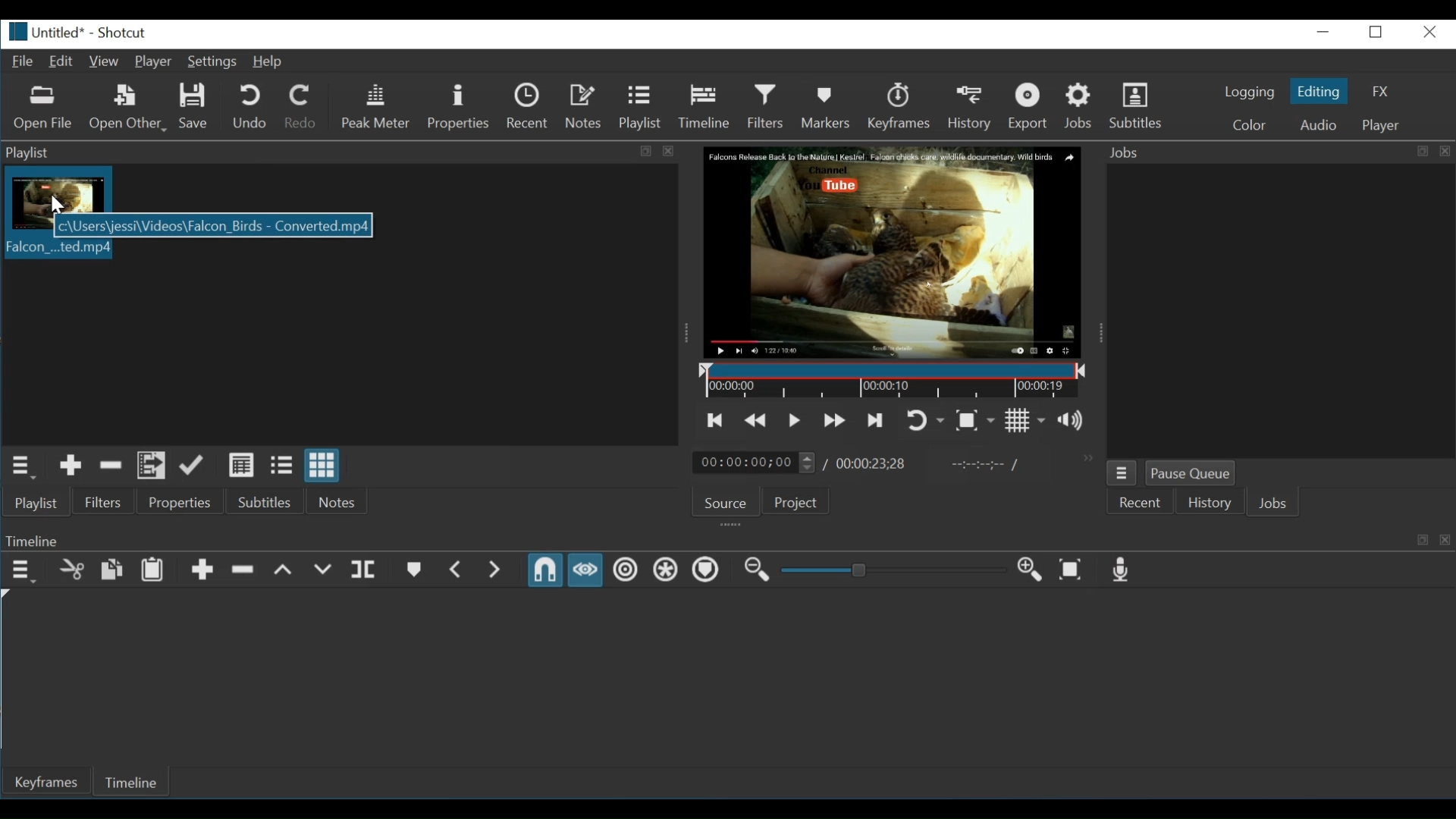  What do you see at coordinates (1025, 421) in the screenshot?
I see `Toggle grid display on the player` at bounding box center [1025, 421].